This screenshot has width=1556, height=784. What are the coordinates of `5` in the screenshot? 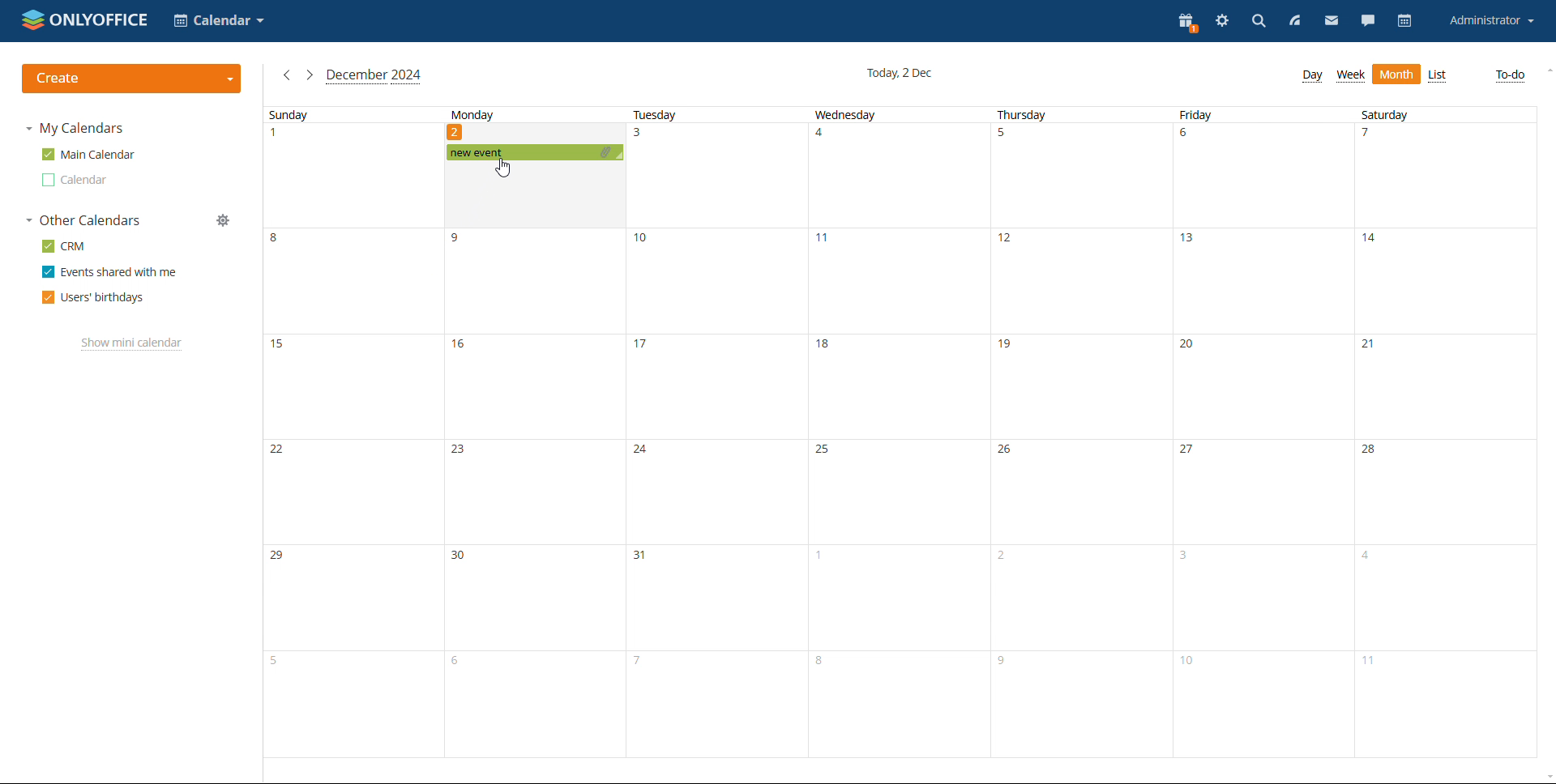 It's located at (1004, 137).